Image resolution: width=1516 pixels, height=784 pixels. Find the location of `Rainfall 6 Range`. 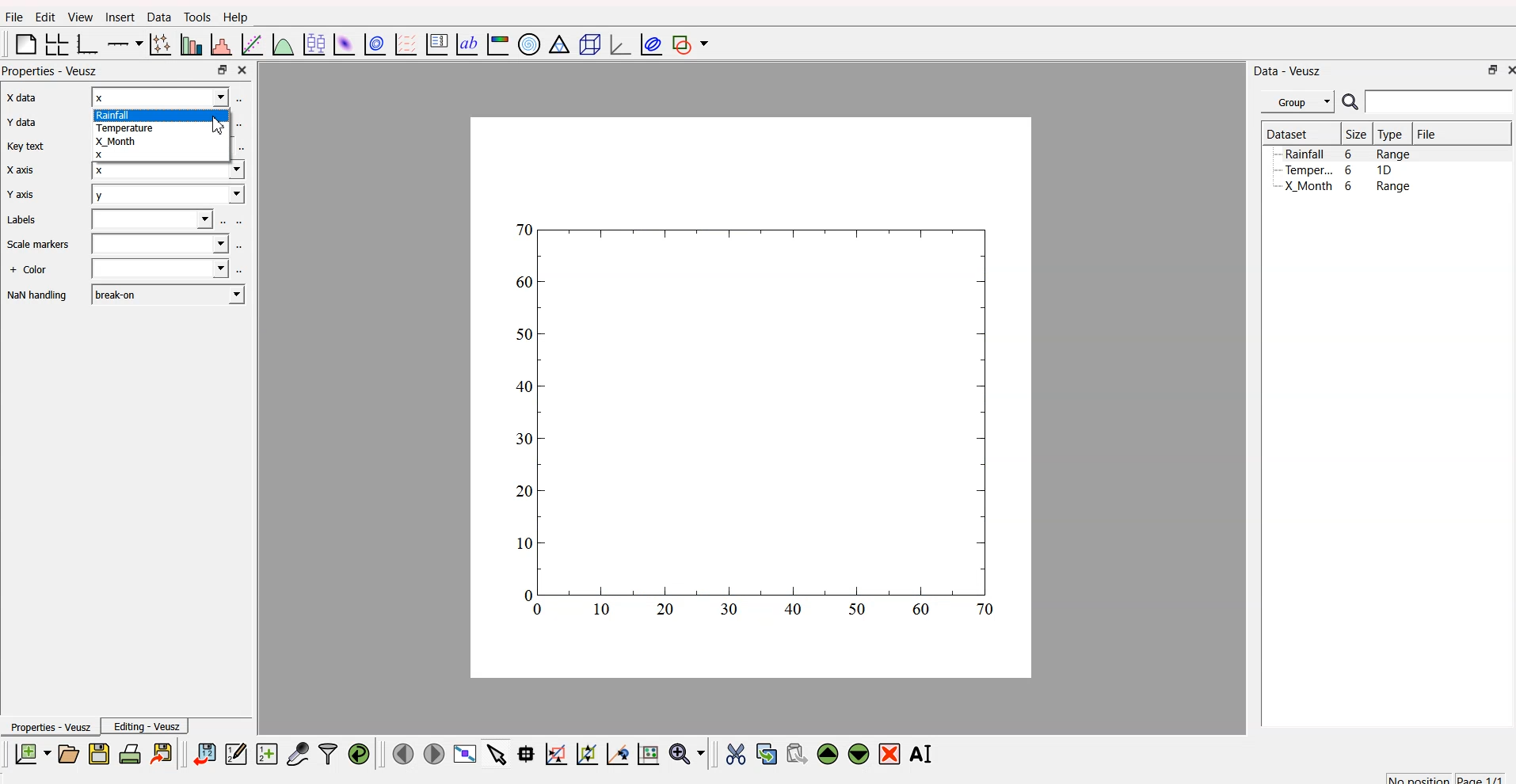

Rainfall 6 Range is located at coordinates (1350, 154).